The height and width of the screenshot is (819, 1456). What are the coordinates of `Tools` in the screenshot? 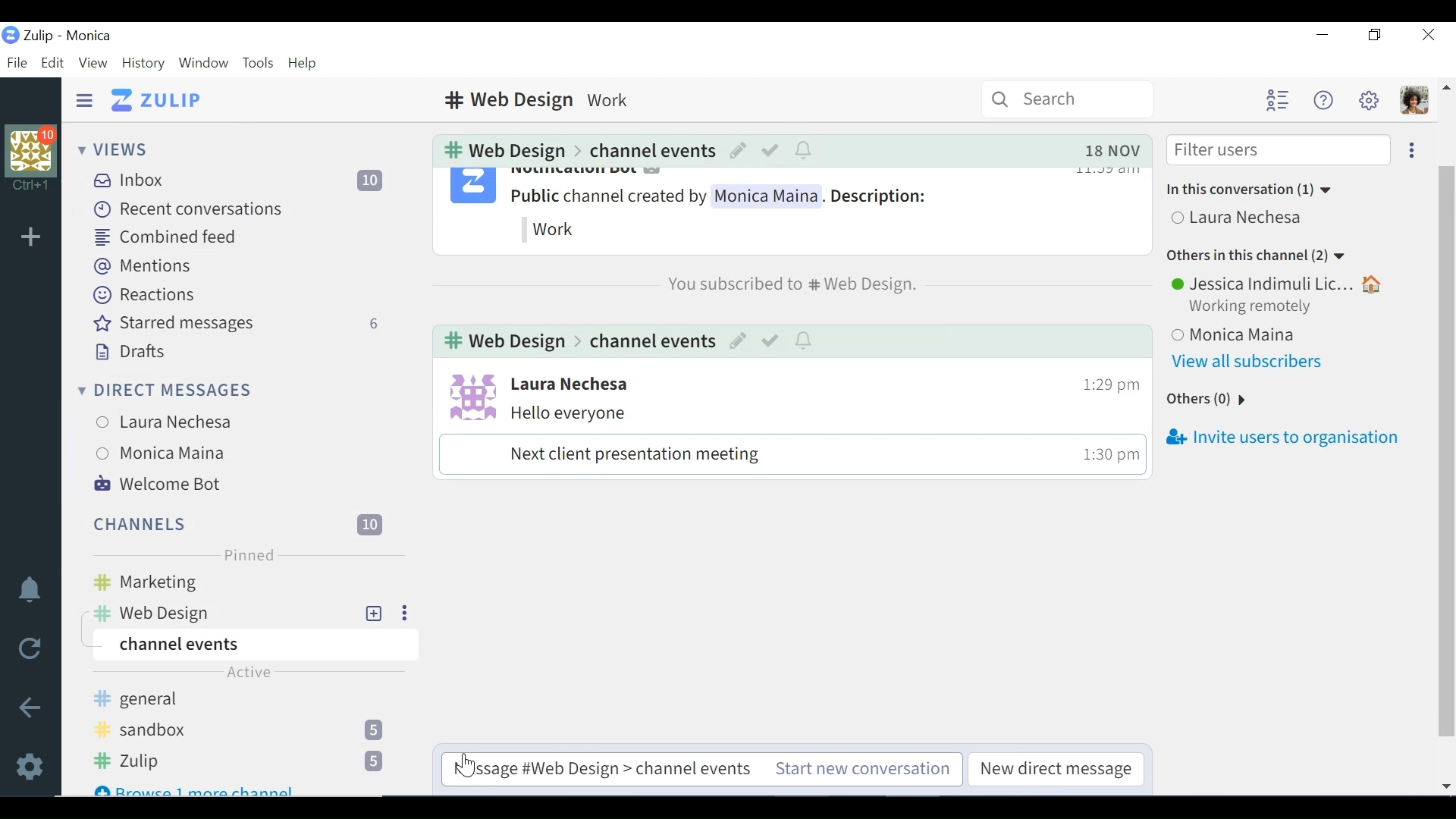 It's located at (257, 63).